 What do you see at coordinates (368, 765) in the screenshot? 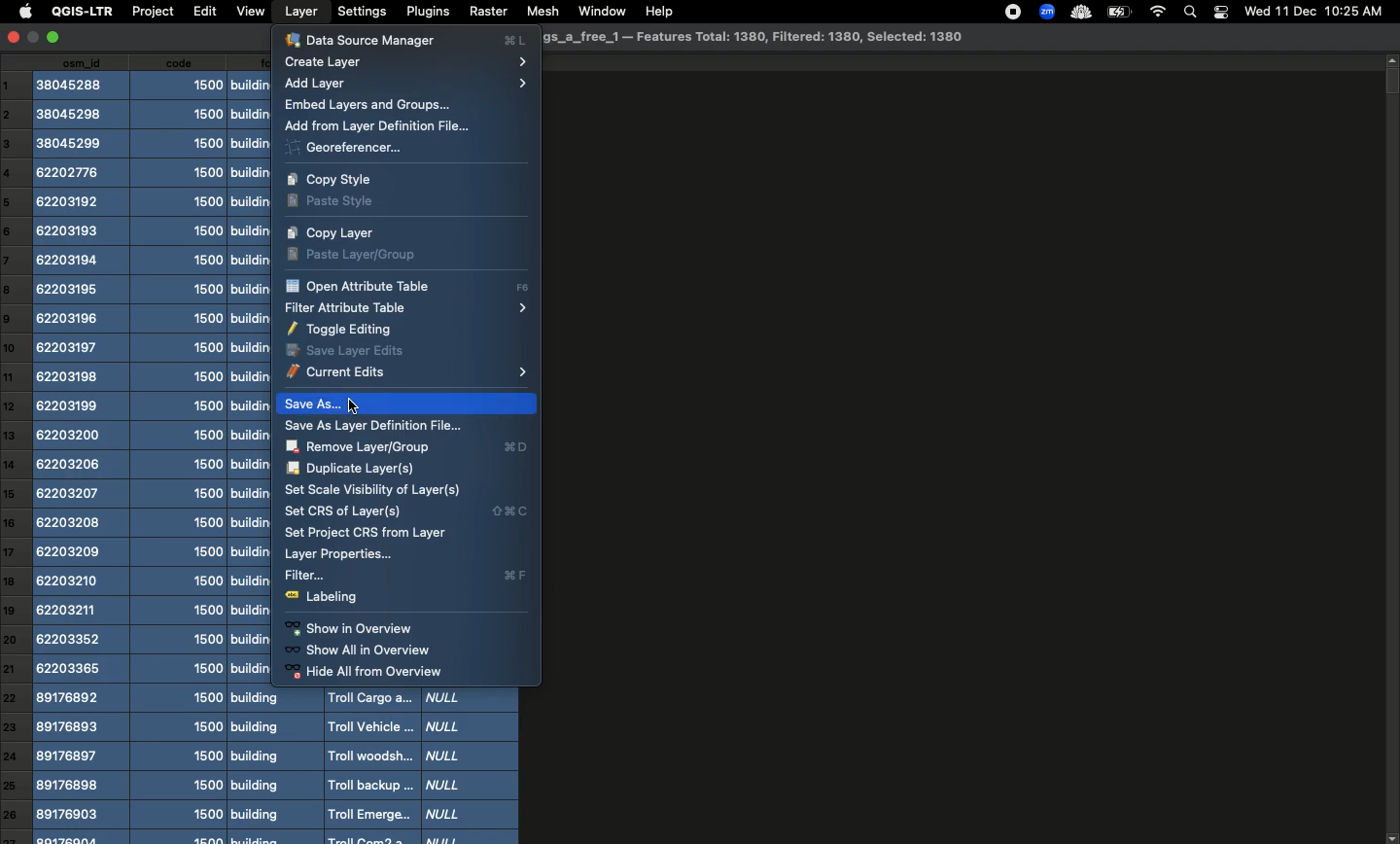
I see `Name` at bounding box center [368, 765].